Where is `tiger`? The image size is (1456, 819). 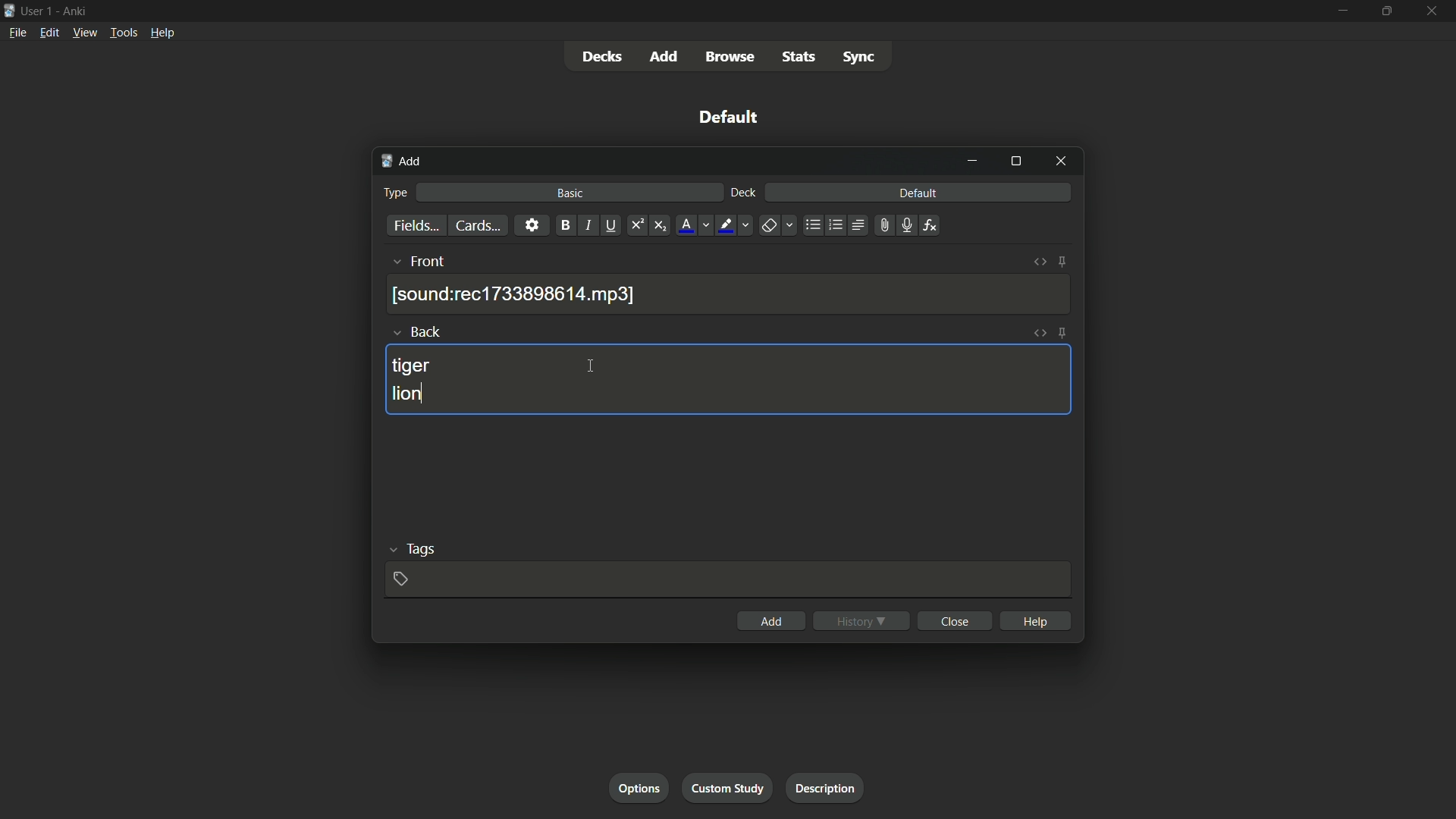 tiger is located at coordinates (413, 366).